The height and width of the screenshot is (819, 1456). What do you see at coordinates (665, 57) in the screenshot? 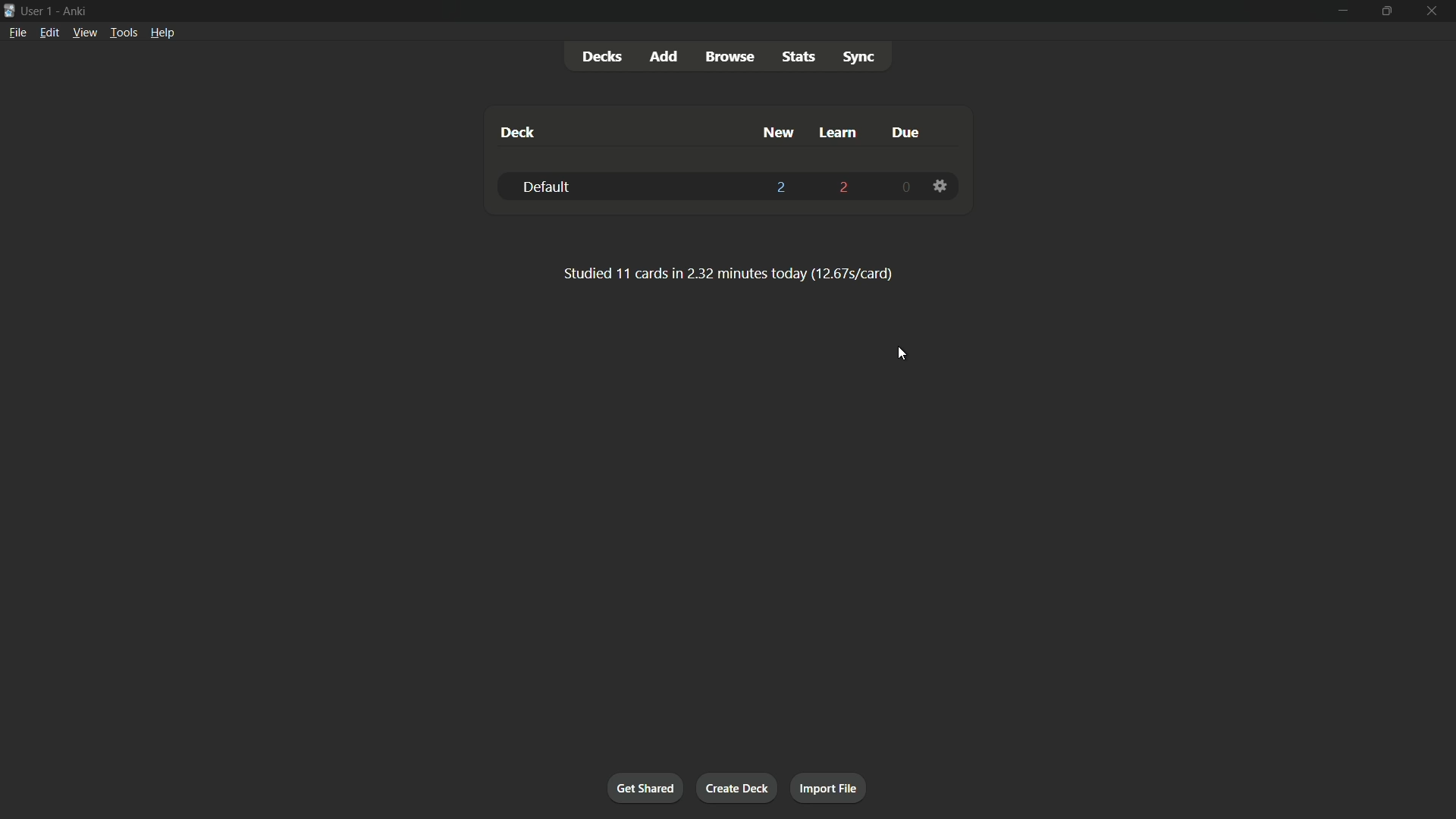
I see `add` at bounding box center [665, 57].